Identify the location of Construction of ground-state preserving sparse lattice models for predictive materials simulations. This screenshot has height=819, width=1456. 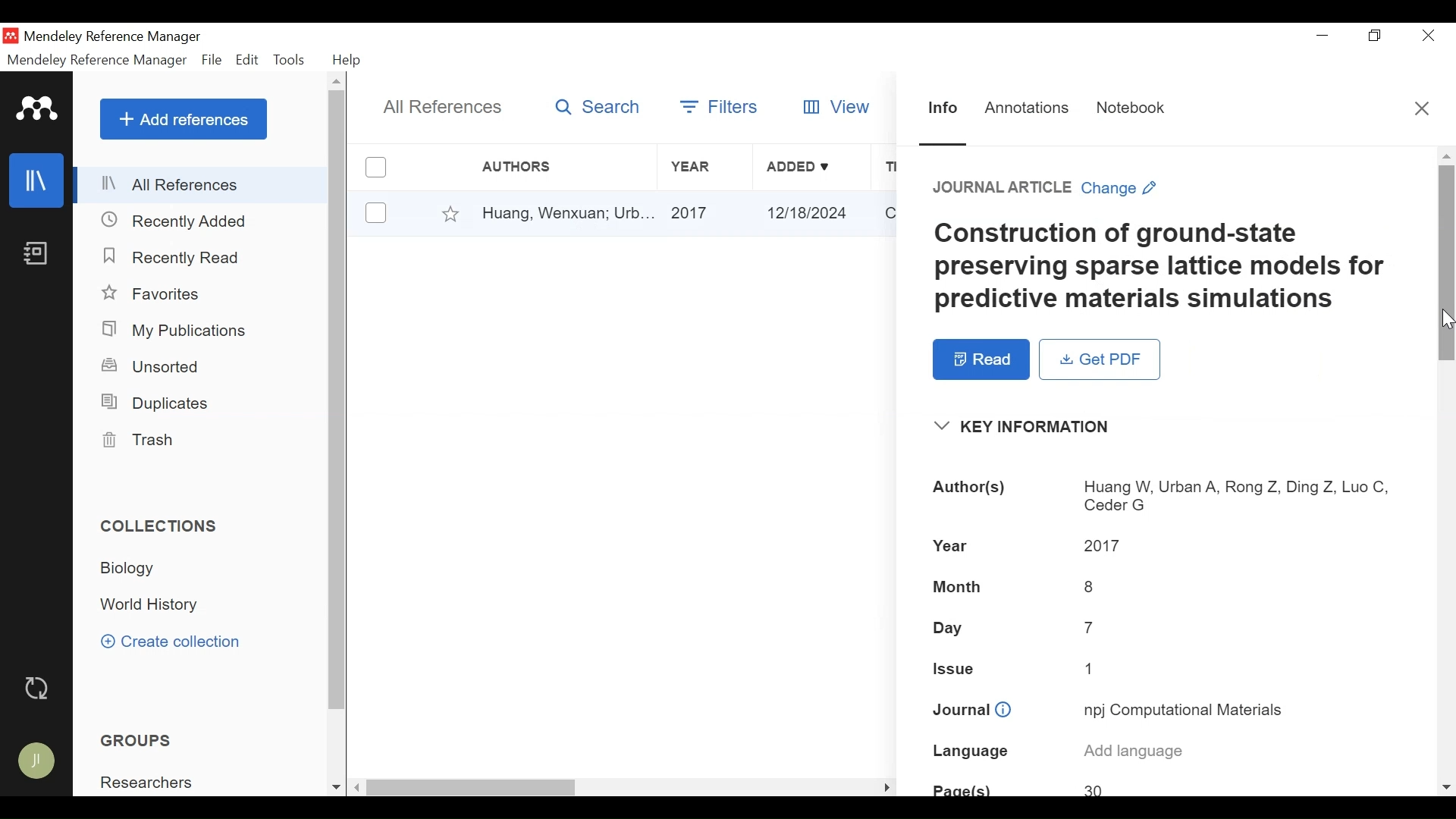
(1162, 267).